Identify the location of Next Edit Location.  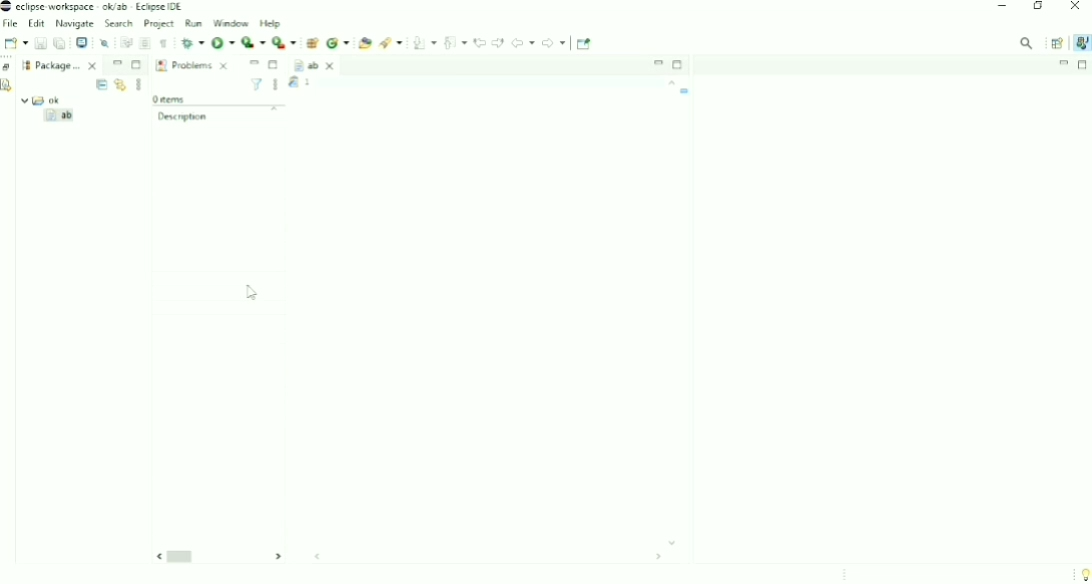
(498, 42).